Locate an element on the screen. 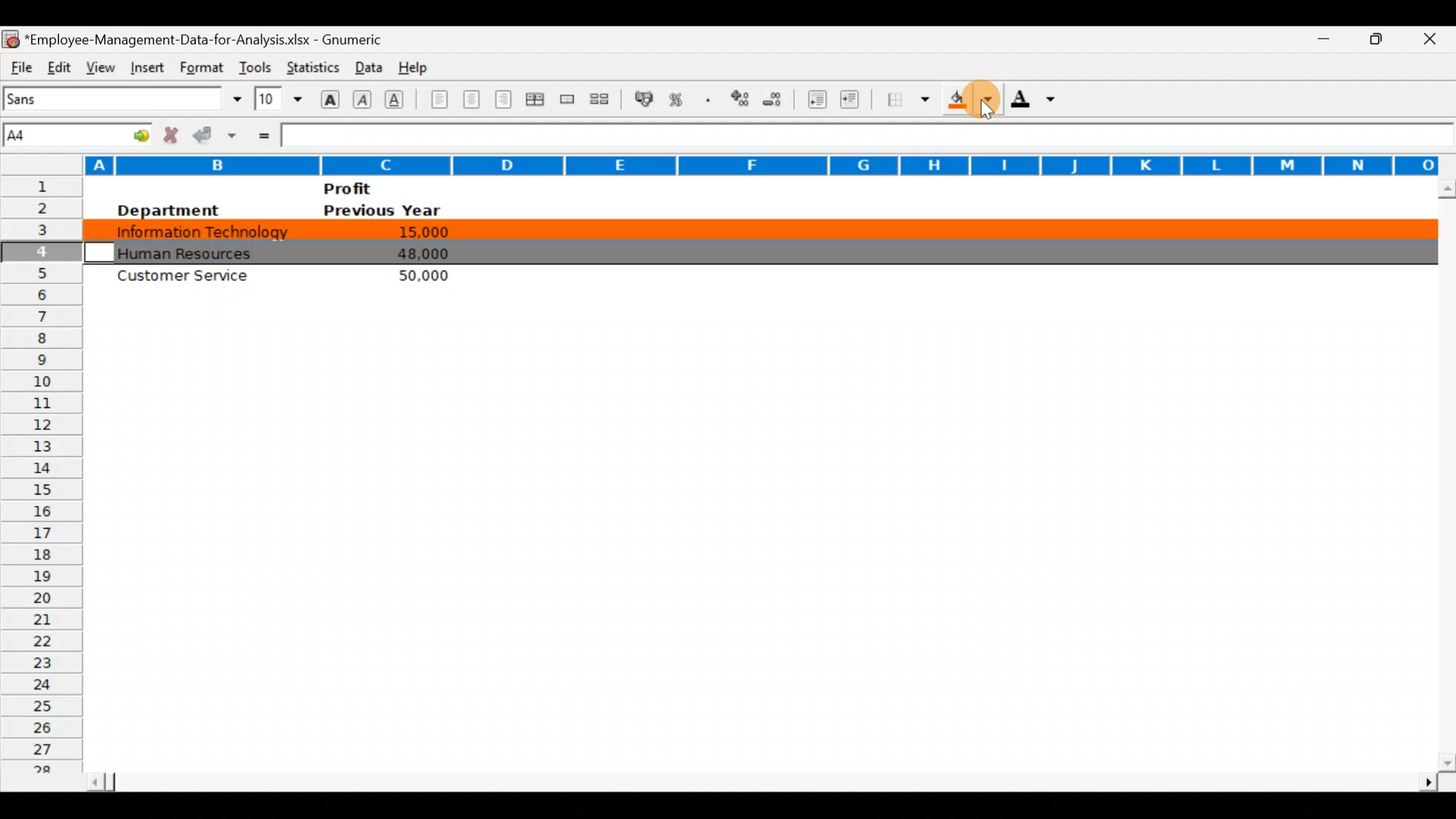 Image resolution: width=1456 pixels, height=819 pixels. Cursor on background is located at coordinates (986, 103).